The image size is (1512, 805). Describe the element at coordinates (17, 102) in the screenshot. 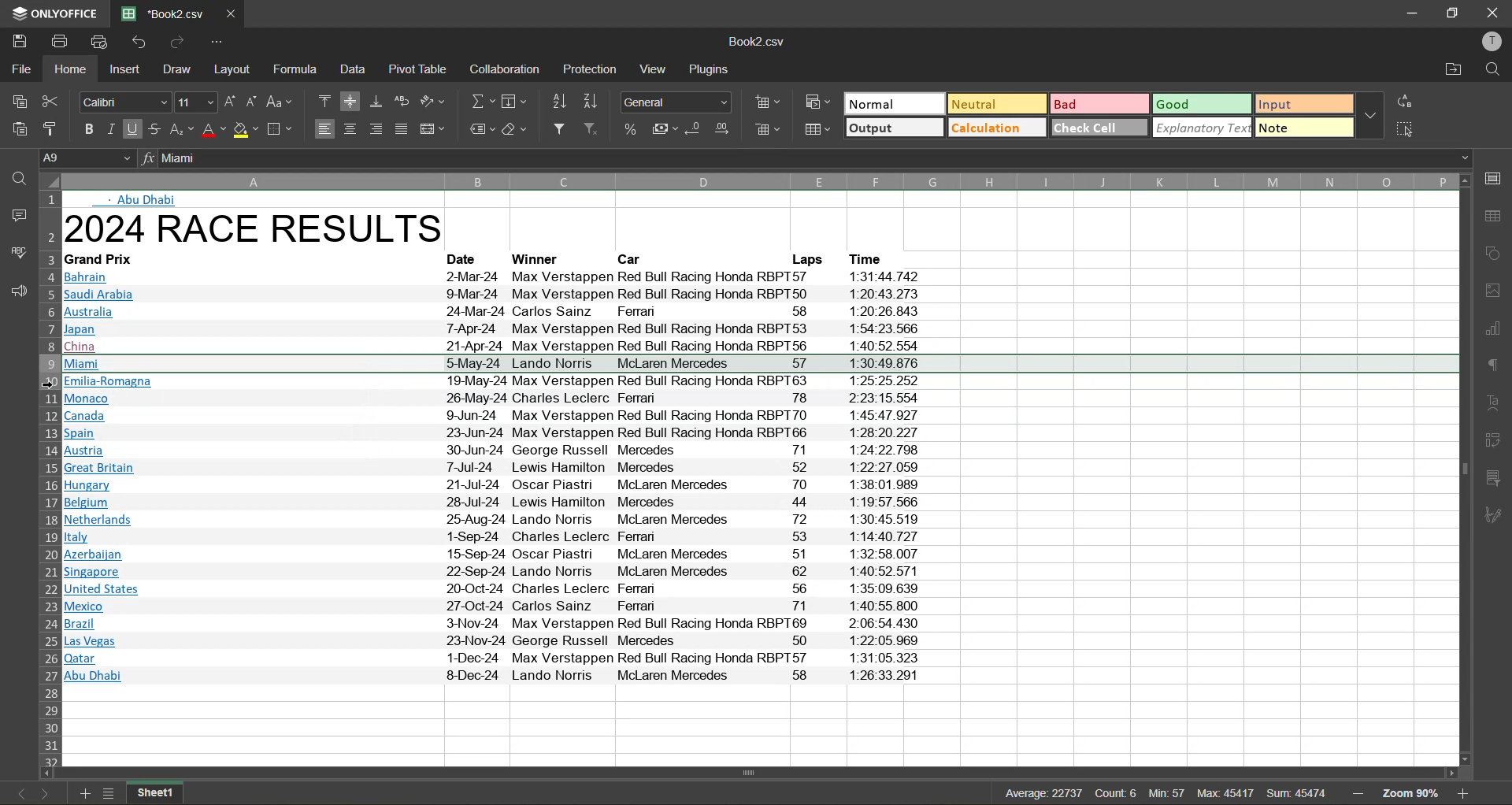

I see `copy` at that location.